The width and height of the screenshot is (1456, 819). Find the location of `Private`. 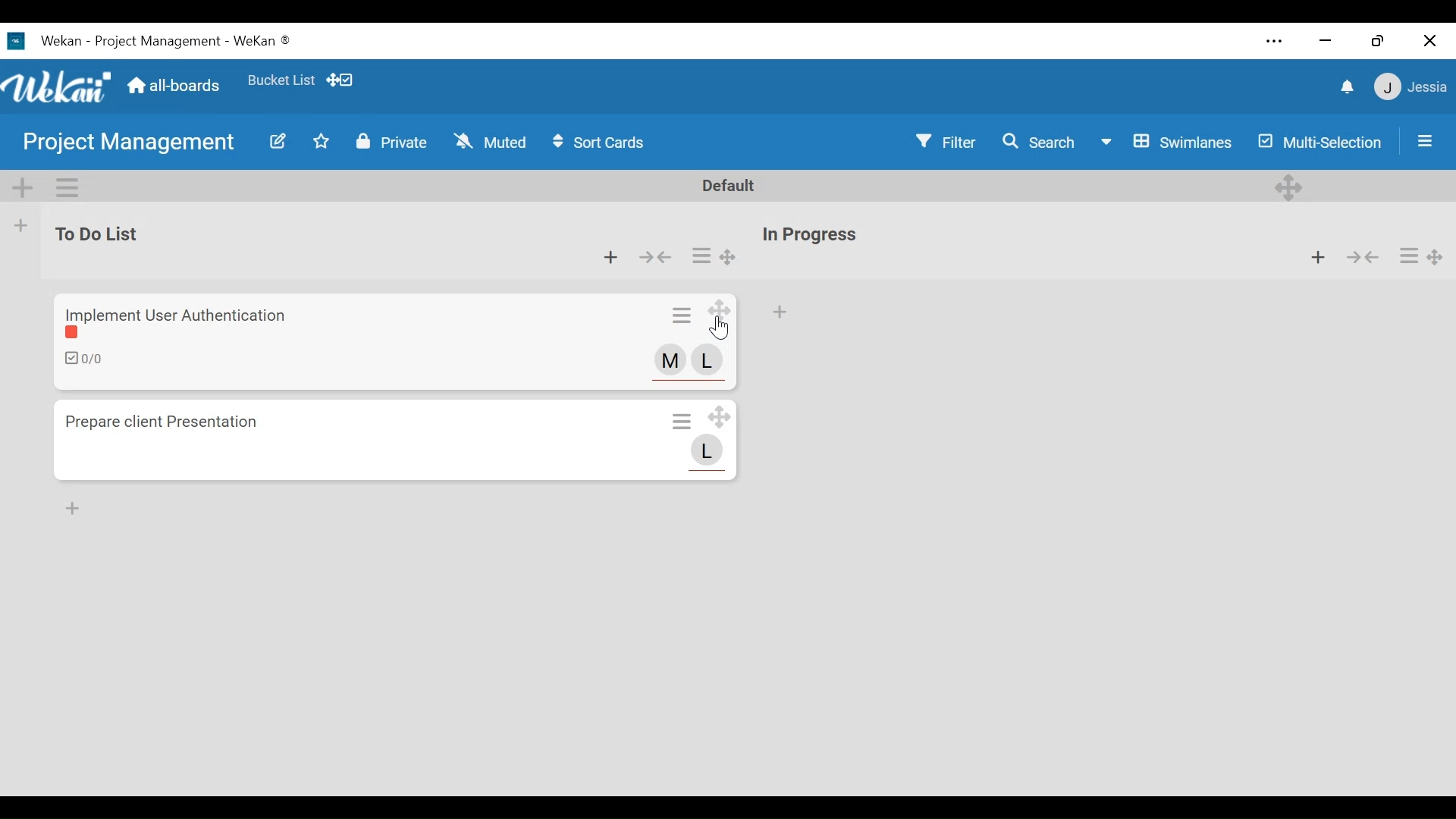

Private is located at coordinates (394, 141).